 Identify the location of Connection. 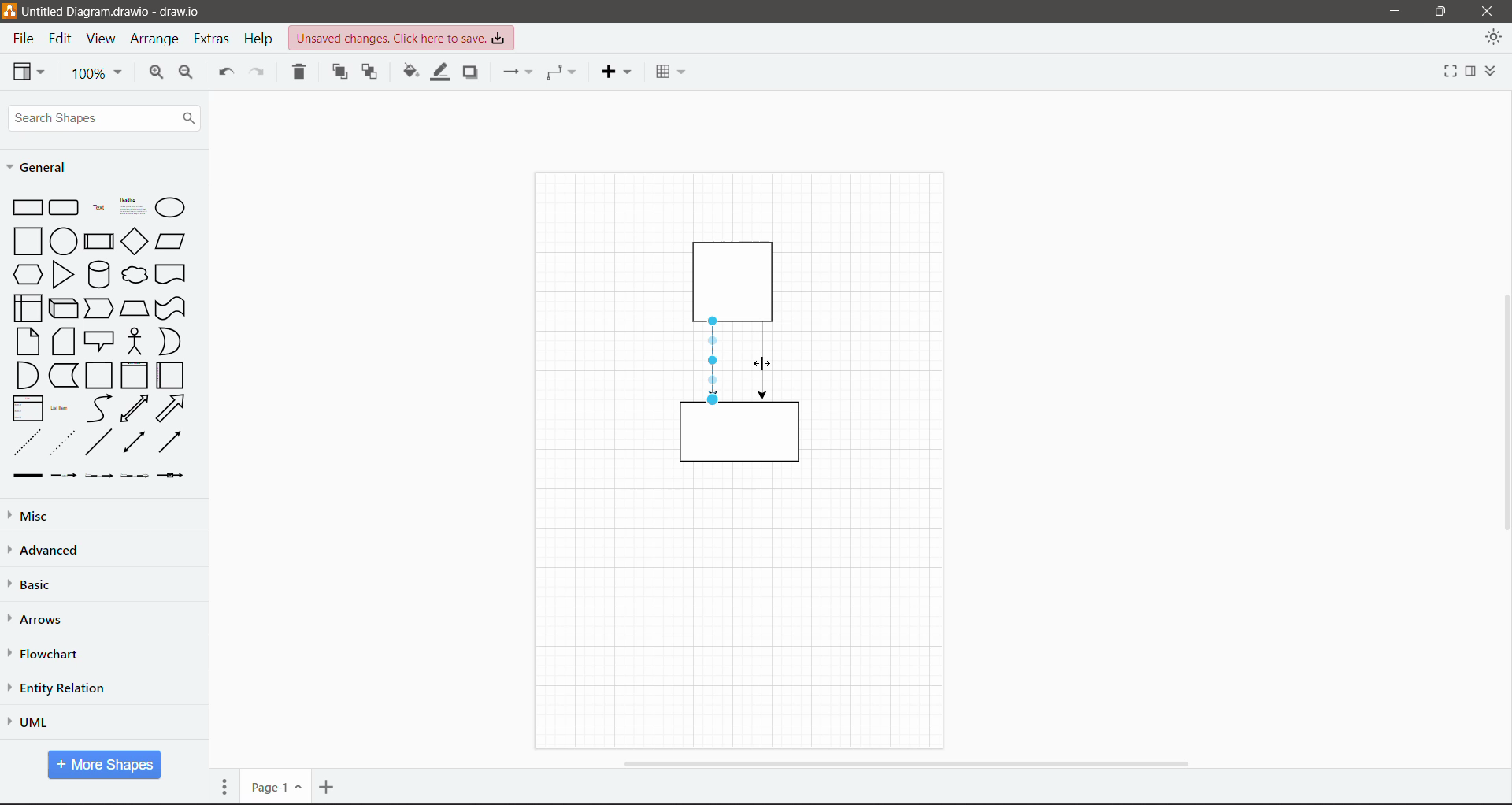
(516, 72).